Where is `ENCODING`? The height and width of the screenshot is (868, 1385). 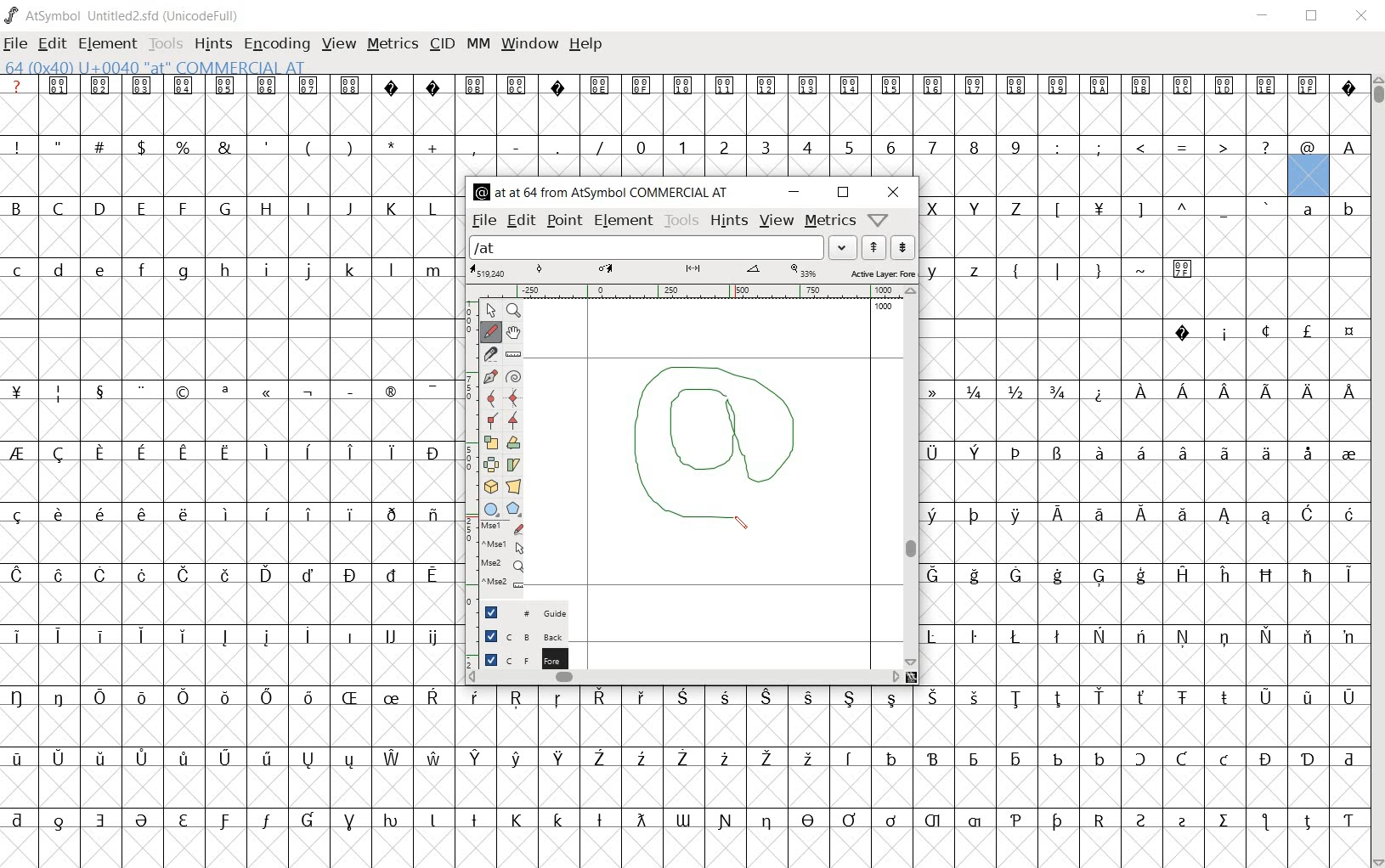 ENCODING is located at coordinates (280, 46).